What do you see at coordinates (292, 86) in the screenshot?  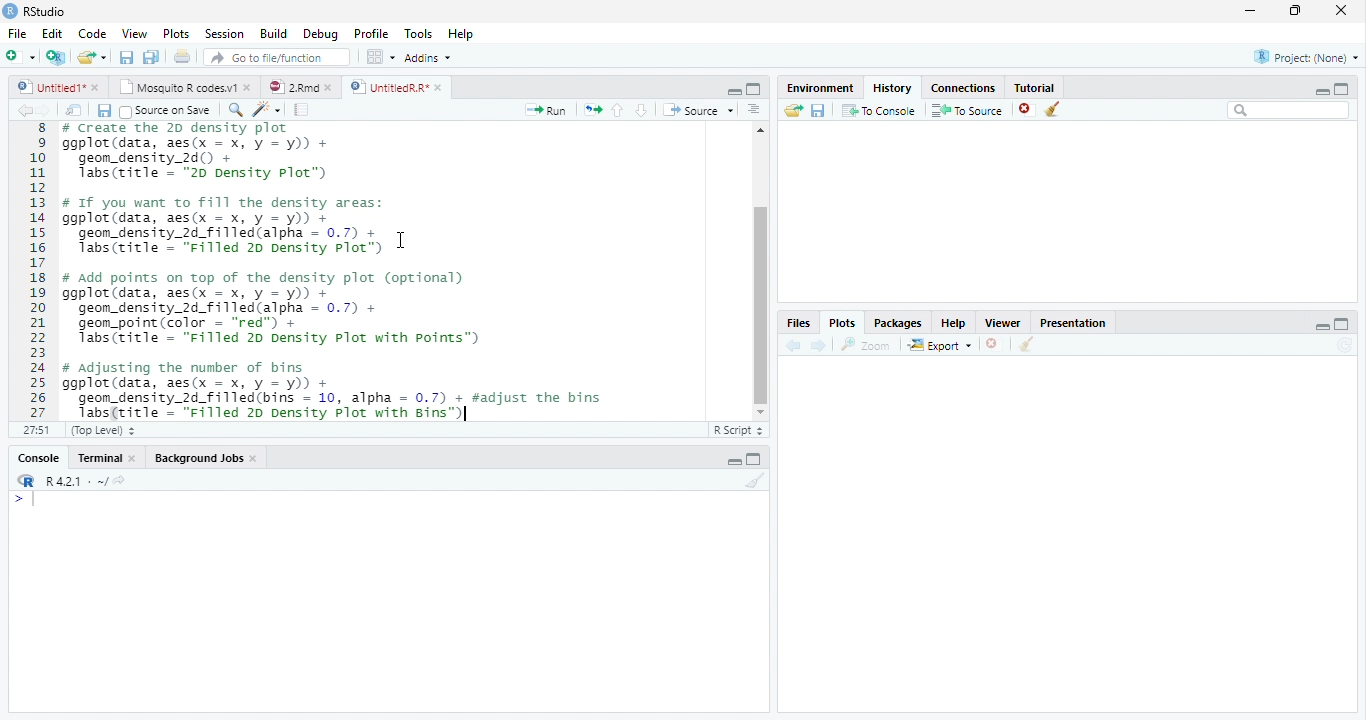 I see `2Rmd` at bounding box center [292, 86].